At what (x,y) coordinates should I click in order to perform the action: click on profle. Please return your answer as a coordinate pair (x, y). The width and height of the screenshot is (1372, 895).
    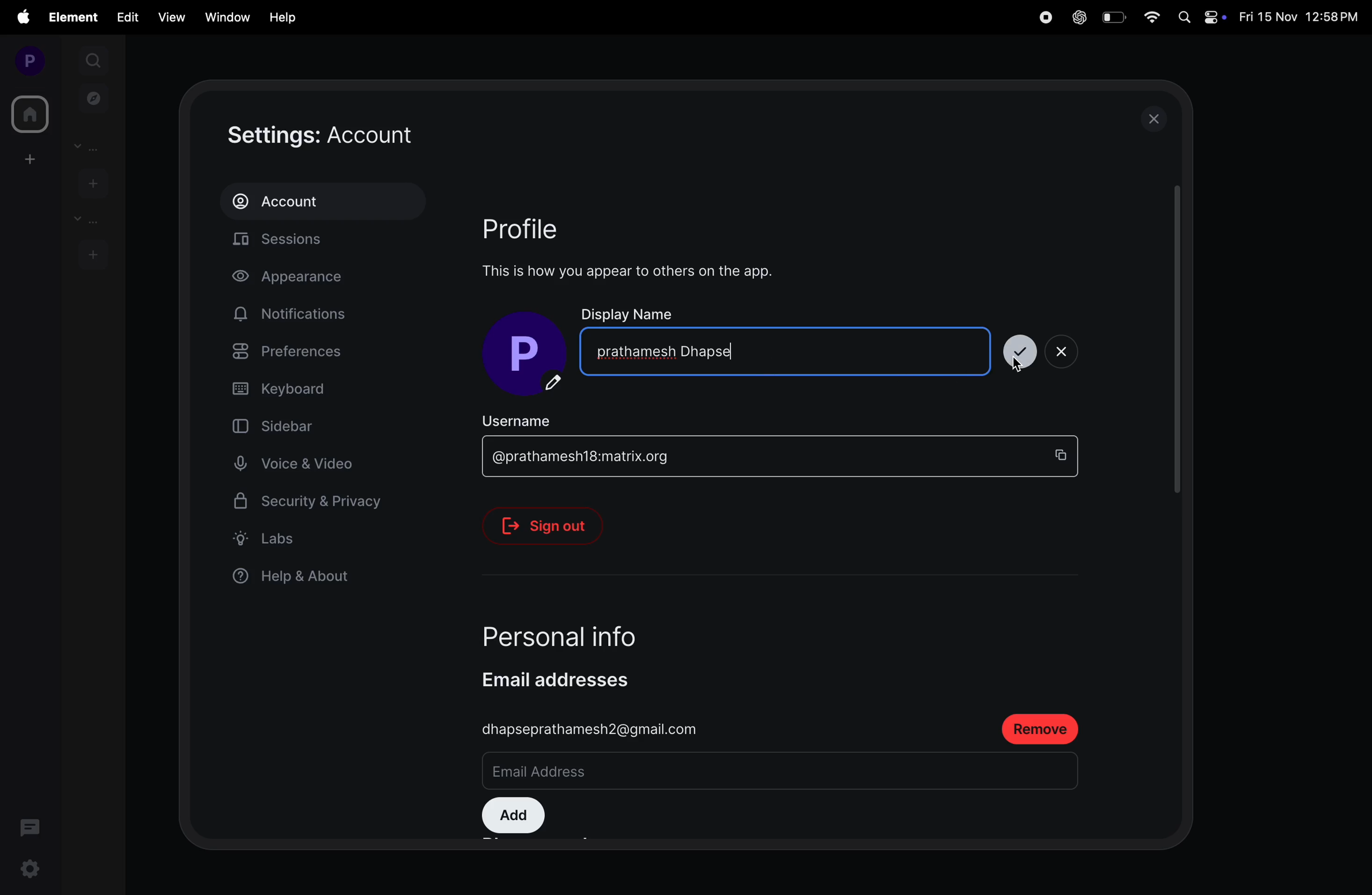
    Looking at the image, I should click on (537, 227).